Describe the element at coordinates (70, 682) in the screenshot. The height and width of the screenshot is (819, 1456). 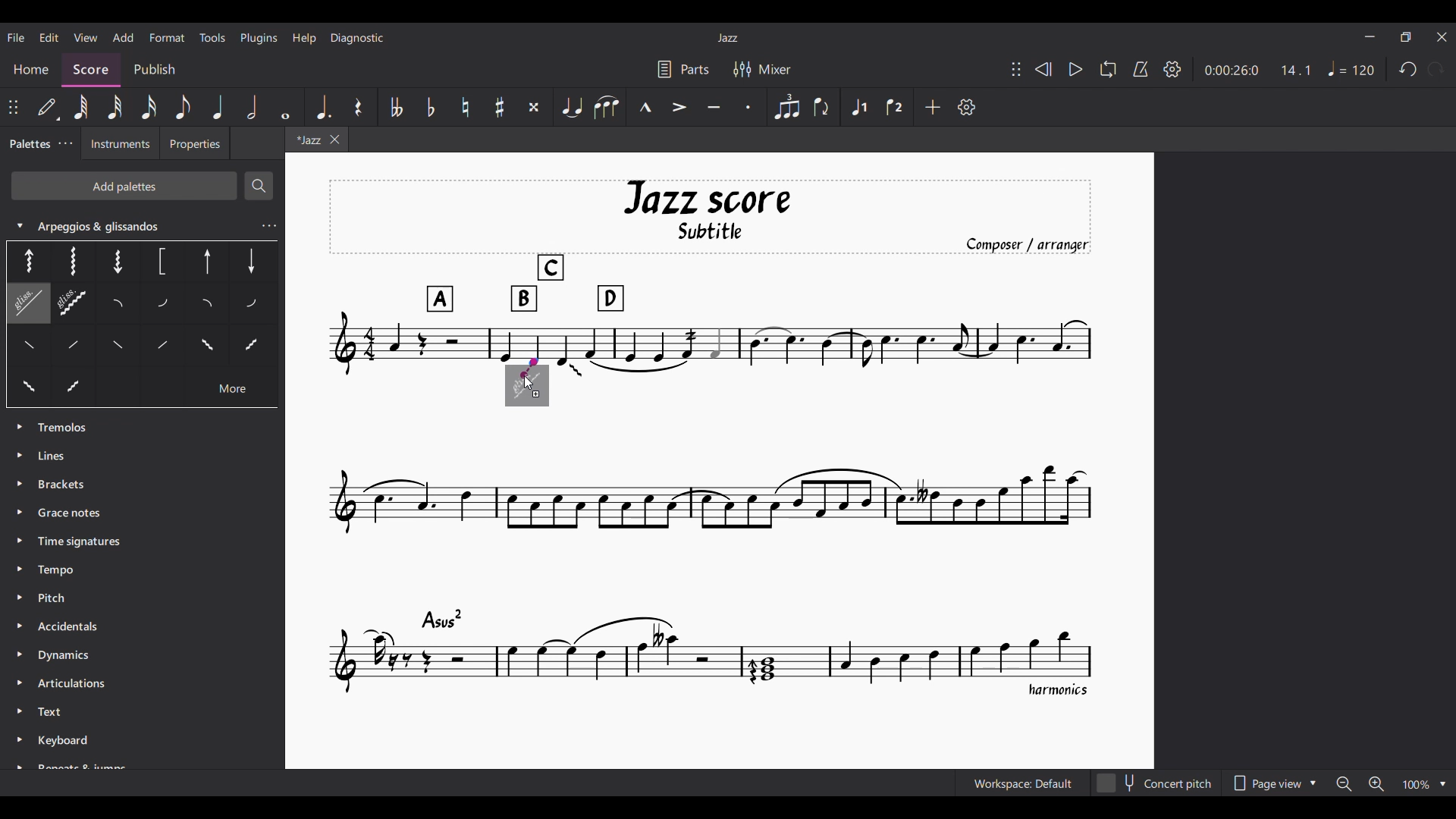
I see `Articulations` at that location.